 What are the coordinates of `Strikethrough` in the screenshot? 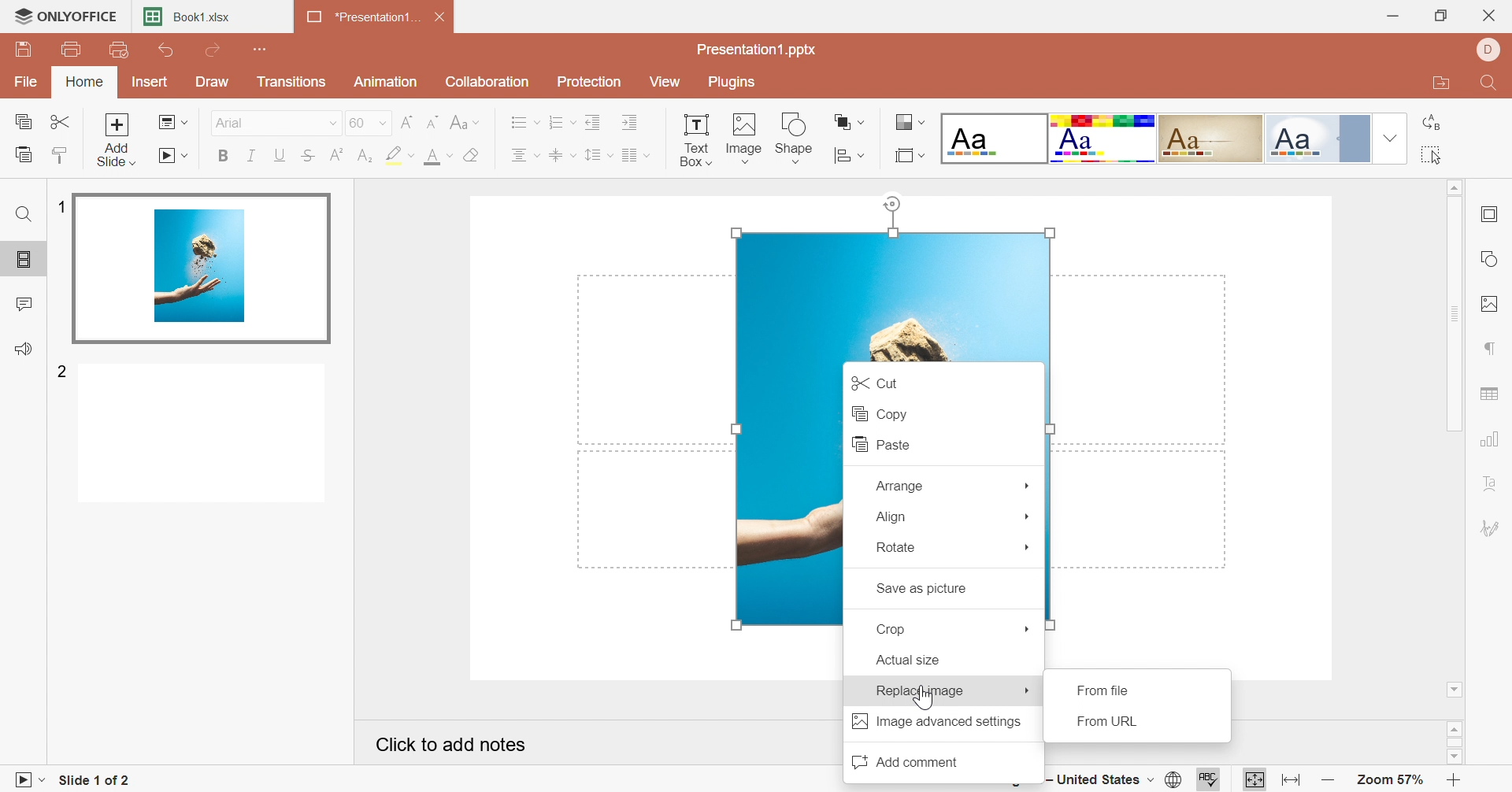 It's located at (308, 156).